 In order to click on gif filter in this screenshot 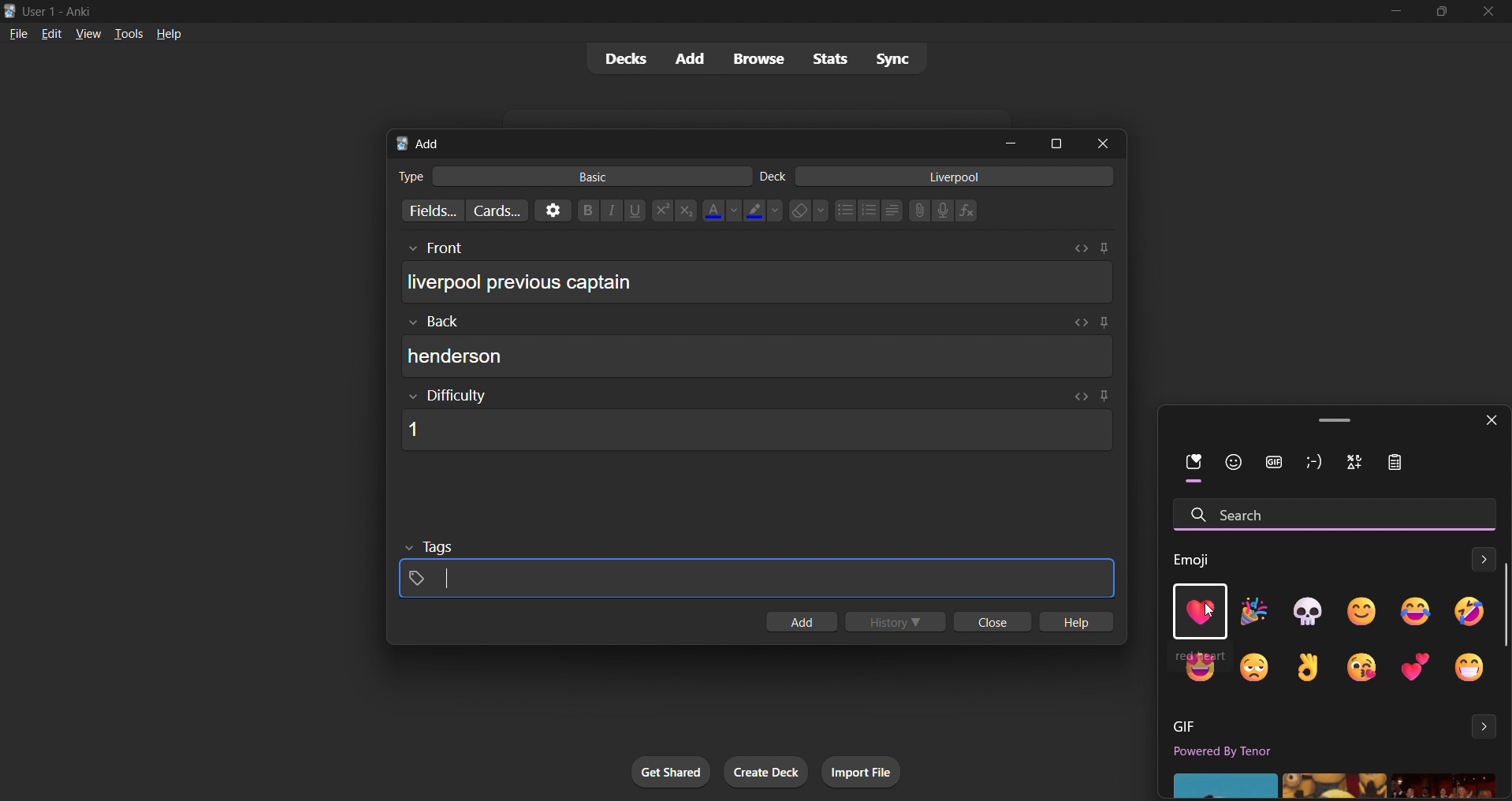, I will do `click(1277, 463)`.